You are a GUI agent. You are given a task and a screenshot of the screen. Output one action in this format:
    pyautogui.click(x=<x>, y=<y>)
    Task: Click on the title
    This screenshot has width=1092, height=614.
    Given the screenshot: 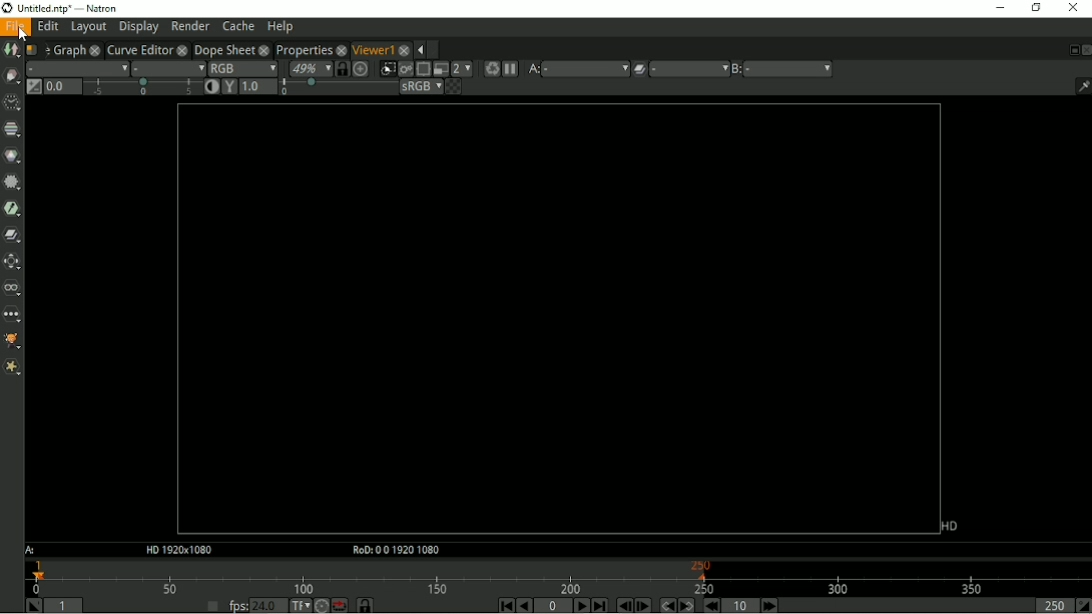 What is the action you would take?
    pyautogui.click(x=89, y=8)
    